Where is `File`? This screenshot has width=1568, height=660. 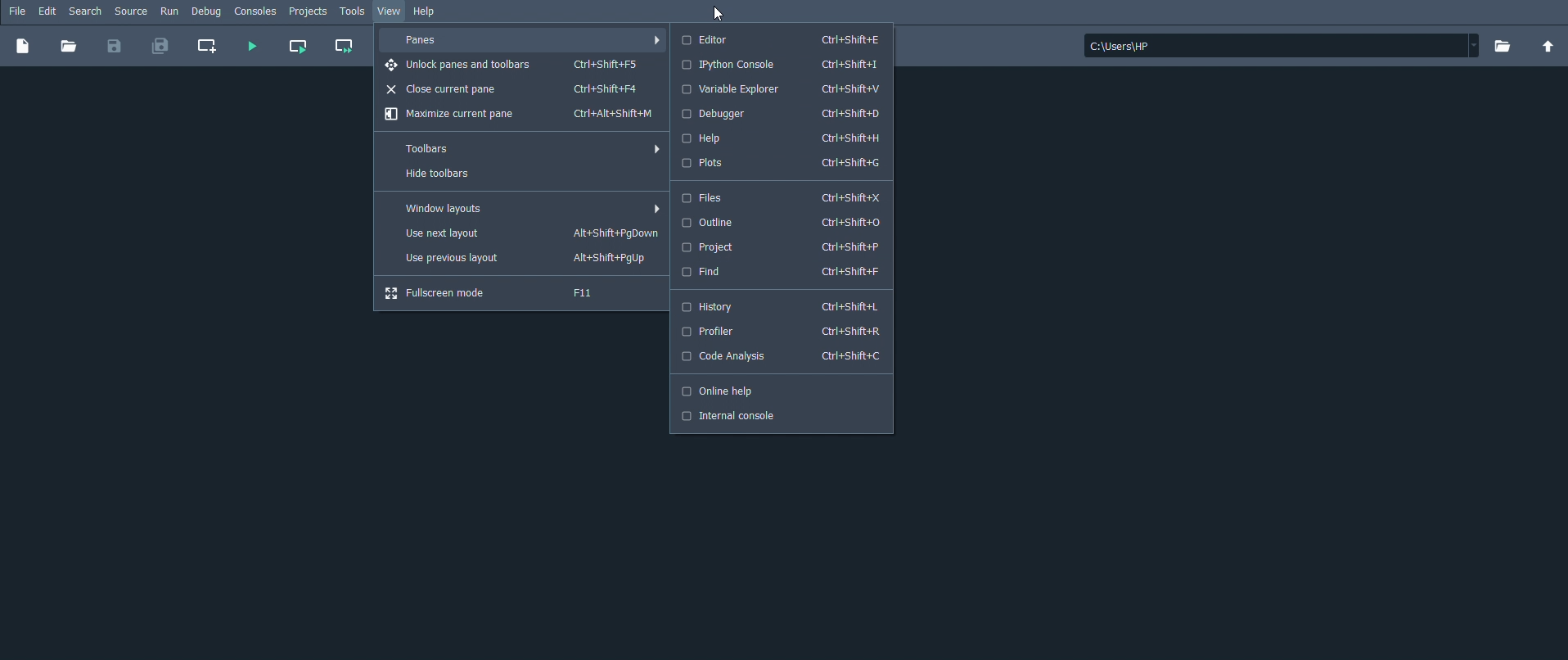 File is located at coordinates (17, 12).